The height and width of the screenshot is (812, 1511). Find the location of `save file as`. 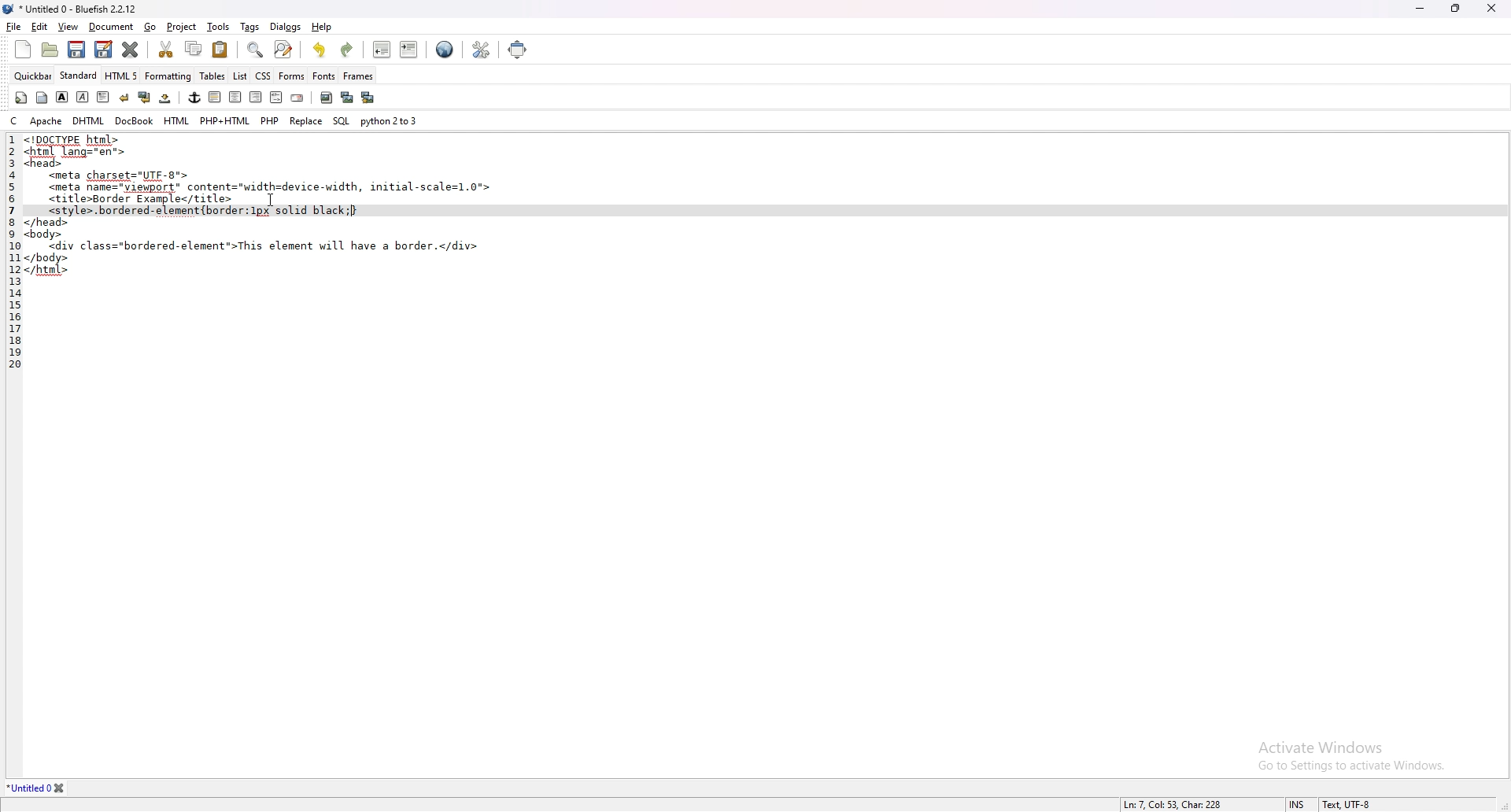

save file as is located at coordinates (104, 49).